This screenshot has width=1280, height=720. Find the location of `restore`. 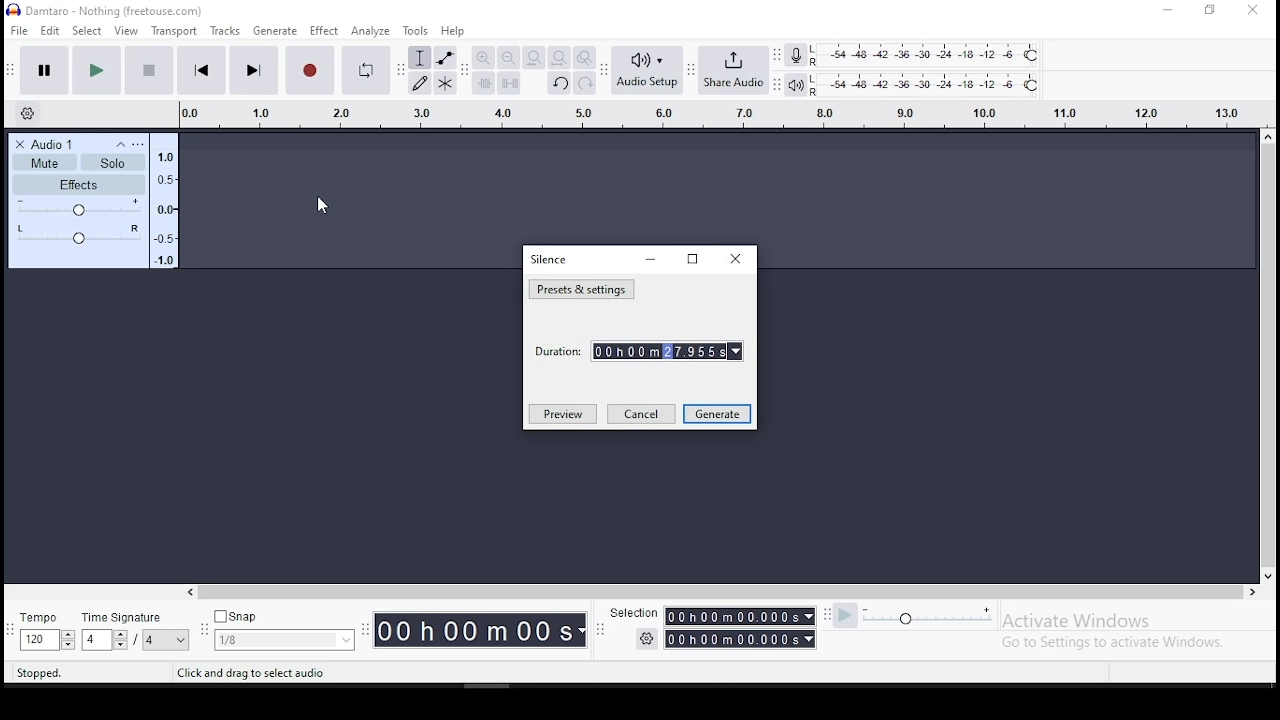

restore is located at coordinates (1212, 10).